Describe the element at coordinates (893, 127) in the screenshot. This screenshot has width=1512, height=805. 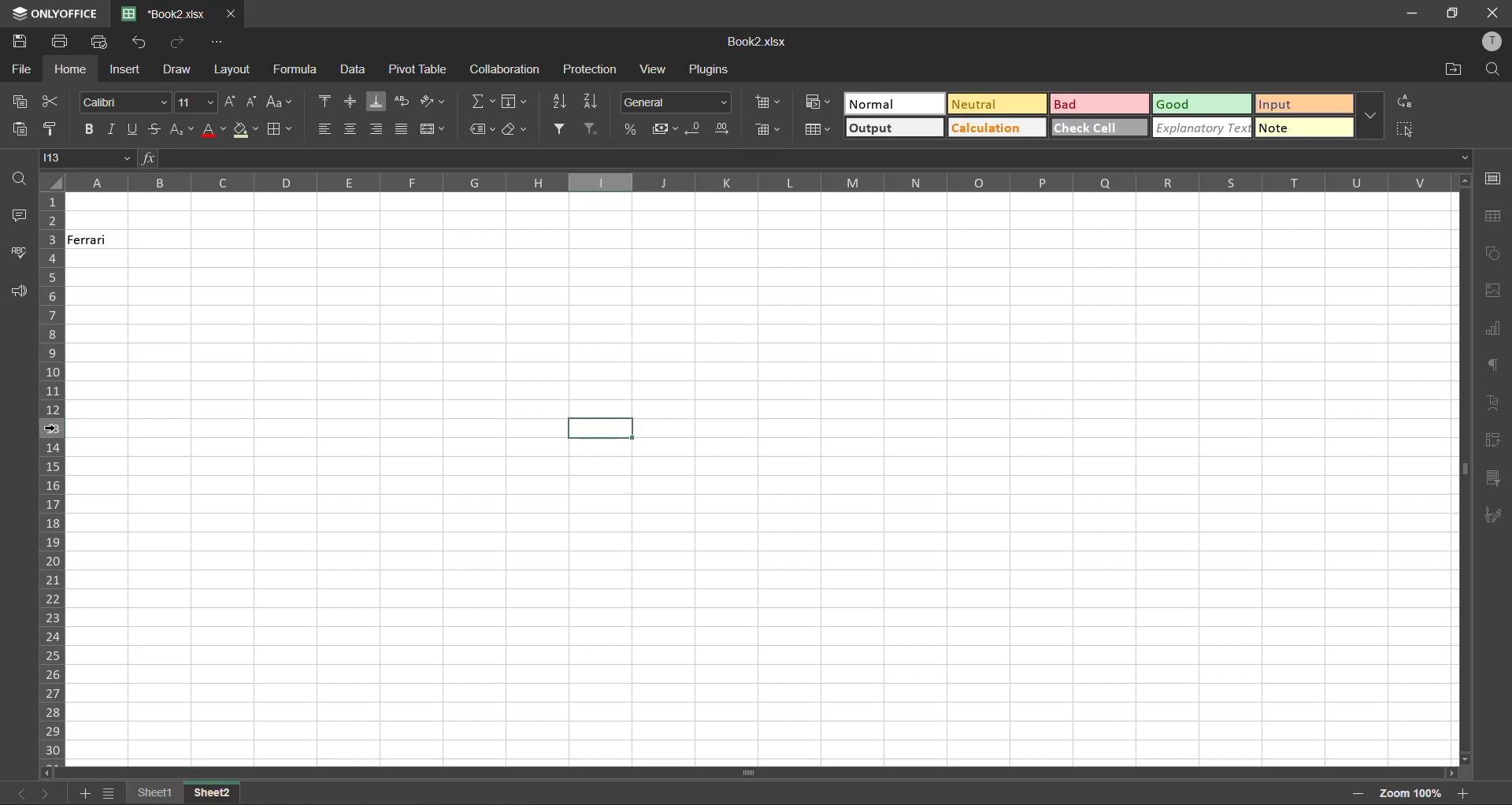
I see `output` at that location.